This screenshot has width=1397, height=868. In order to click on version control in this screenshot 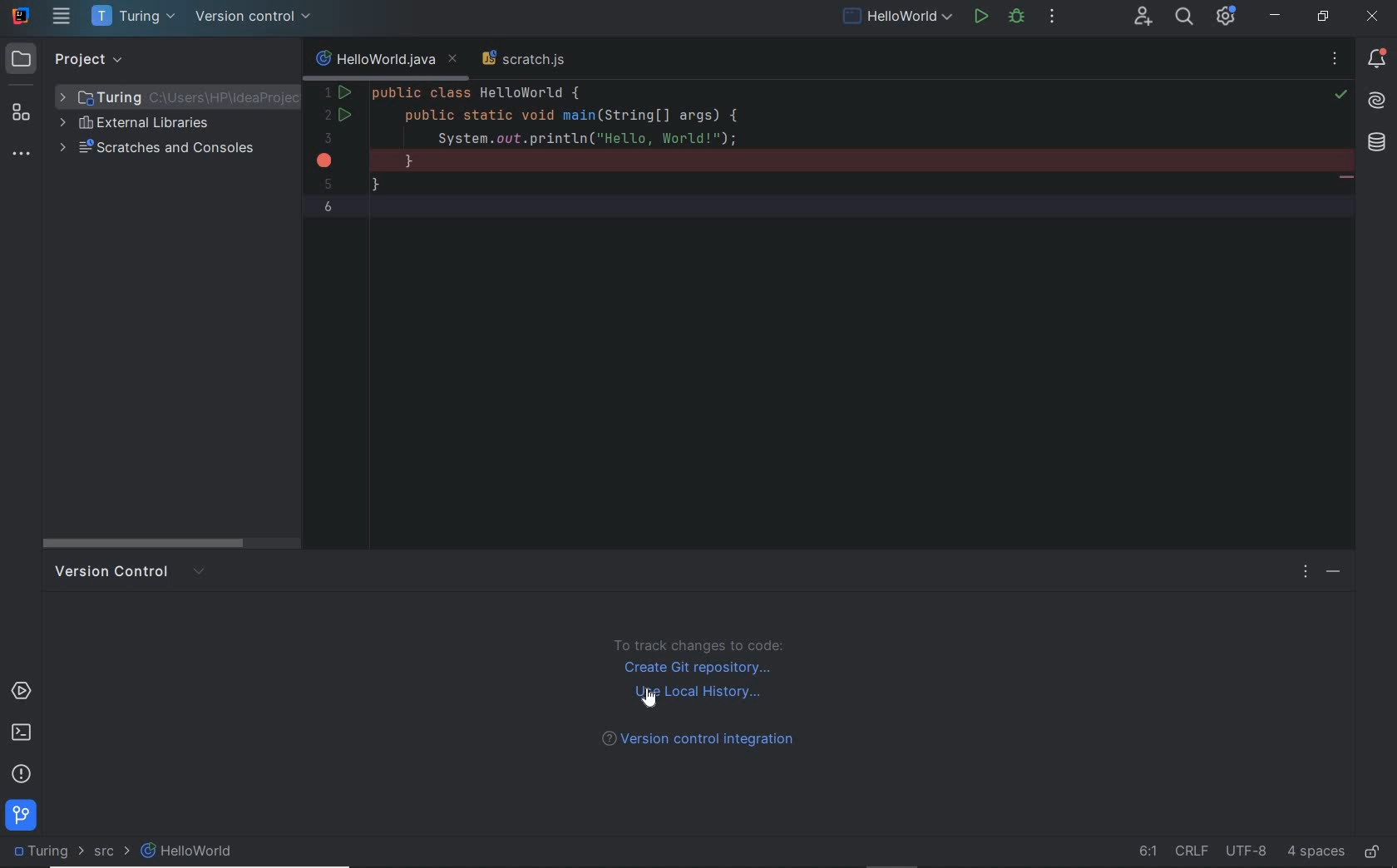, I will do `click(254, 18)`.